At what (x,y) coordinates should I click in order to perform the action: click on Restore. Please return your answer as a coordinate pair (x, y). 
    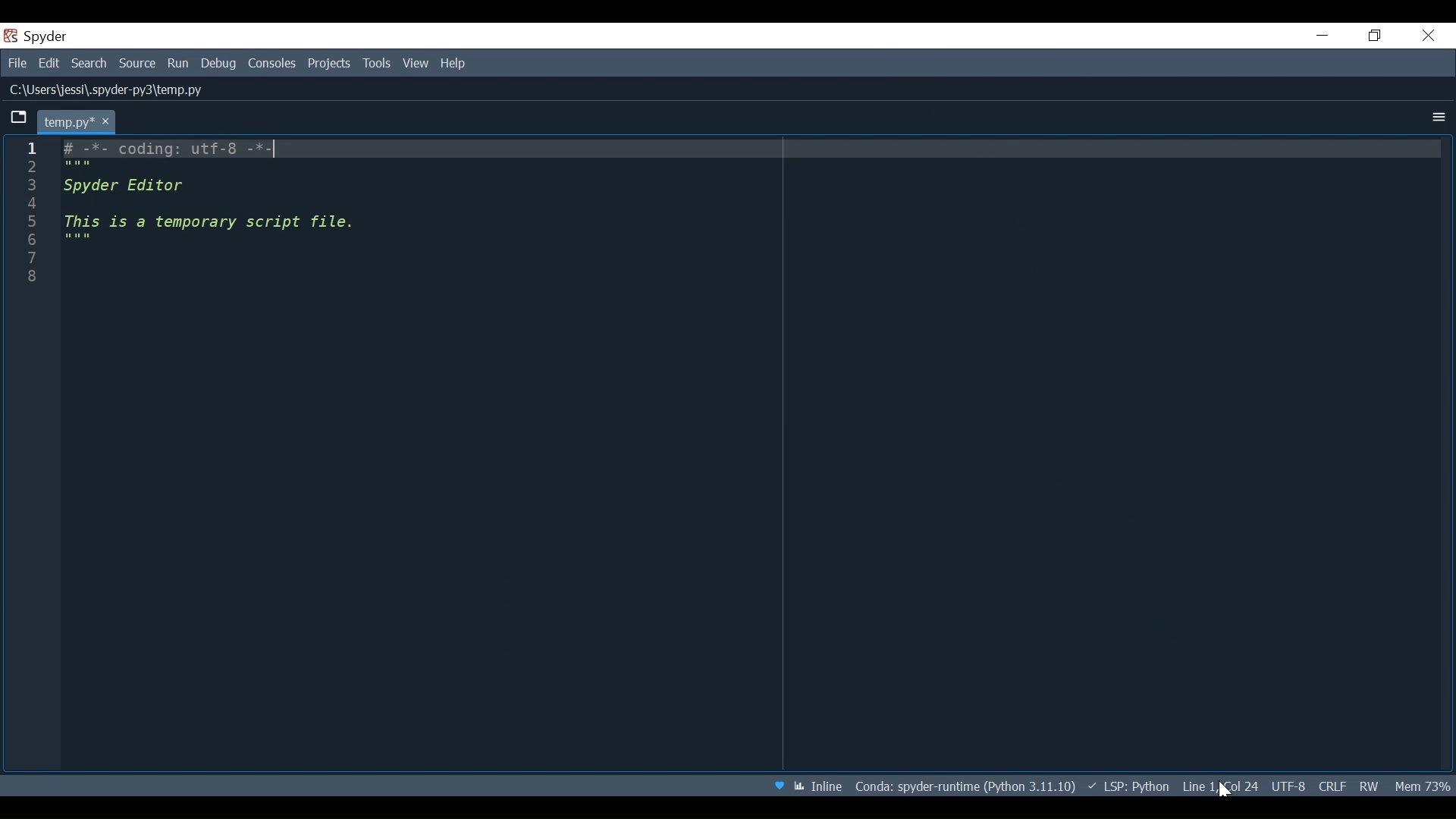
    Looking at the image, I should click on (1376, 35).